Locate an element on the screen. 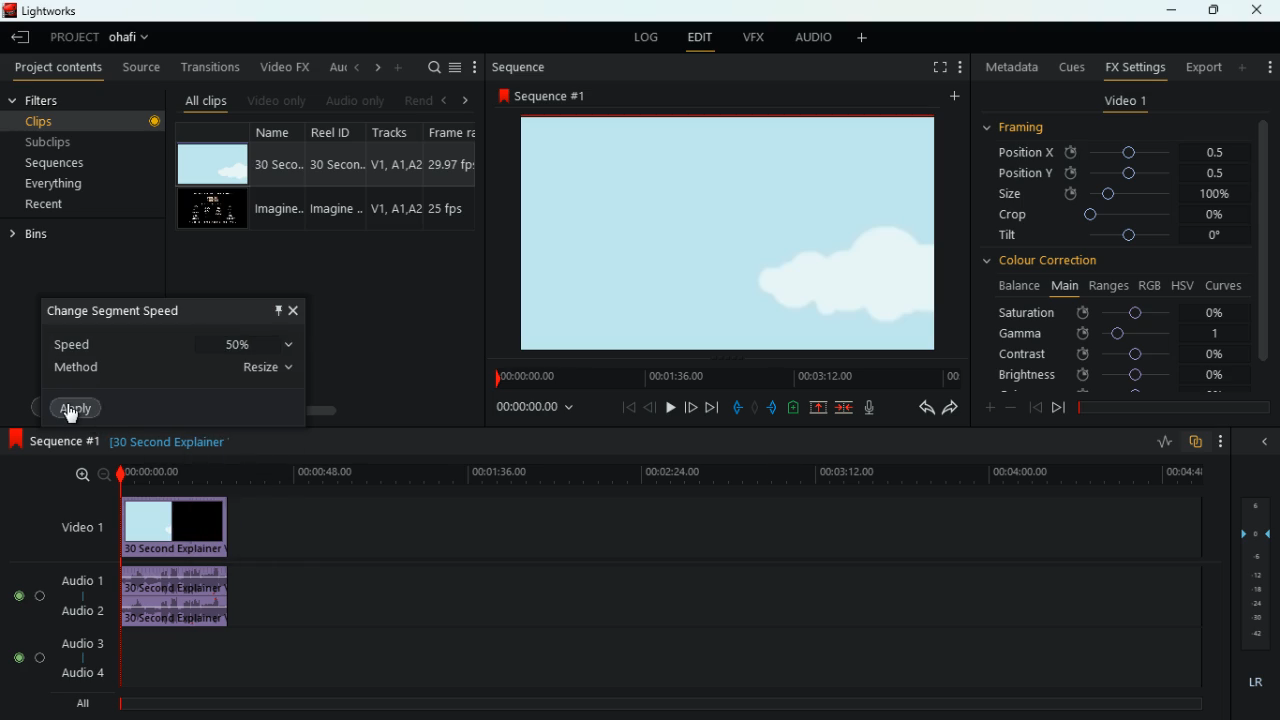 This screenshot has width=1280, height=720. beggining is located at coordinates (1034, 406).